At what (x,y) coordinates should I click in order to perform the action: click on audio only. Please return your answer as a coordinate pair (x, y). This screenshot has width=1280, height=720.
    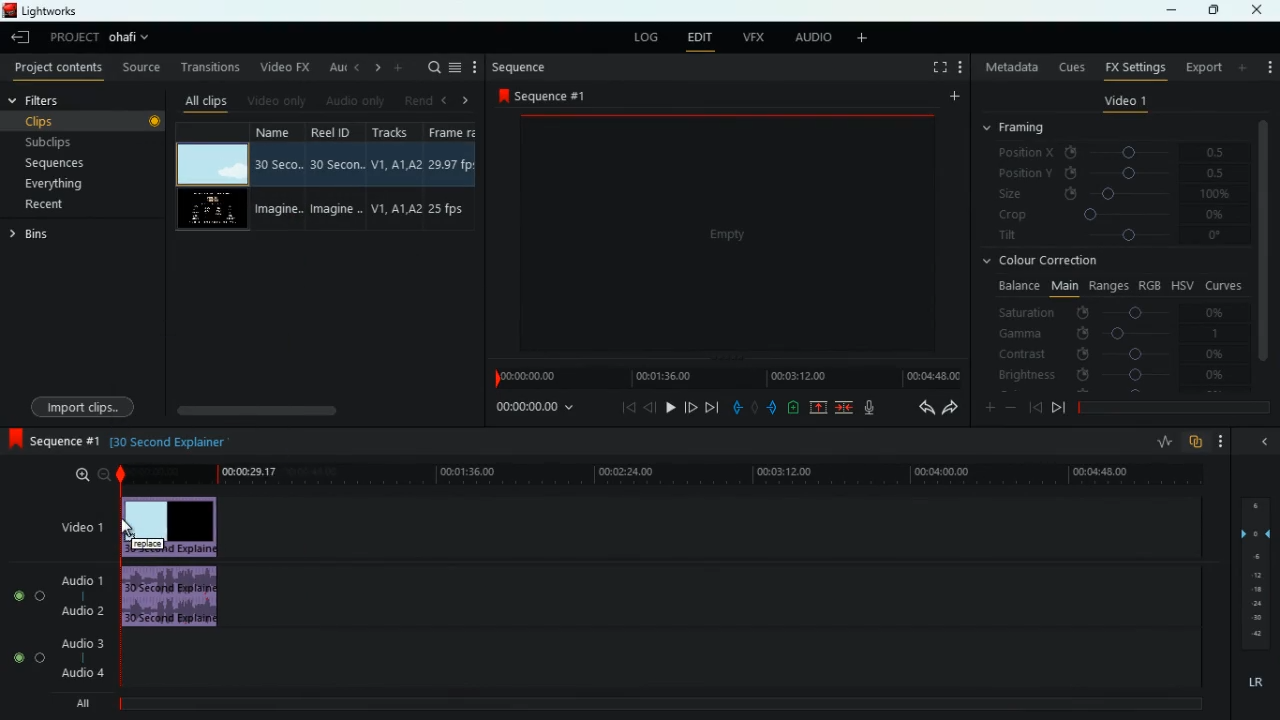
    Looking at the image, I should click on (352, 101).